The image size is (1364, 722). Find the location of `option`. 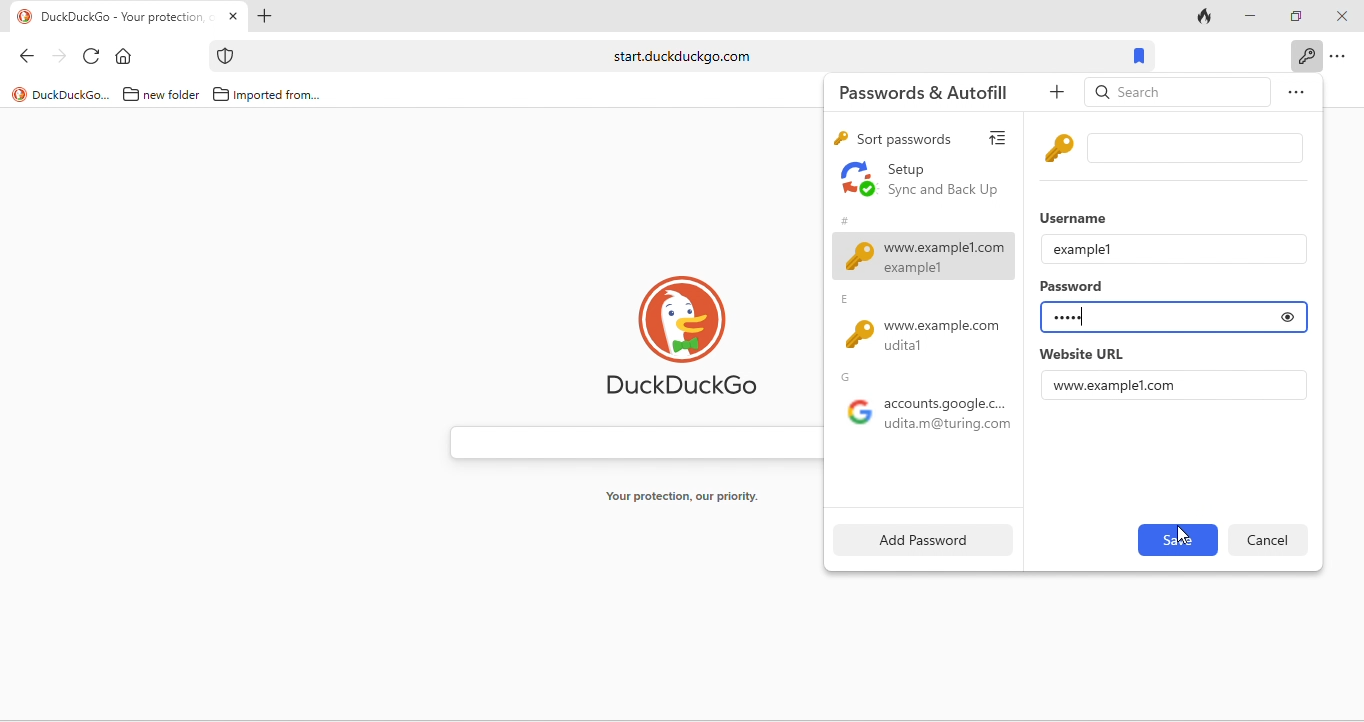

option is located at coordinates (1340, 57).